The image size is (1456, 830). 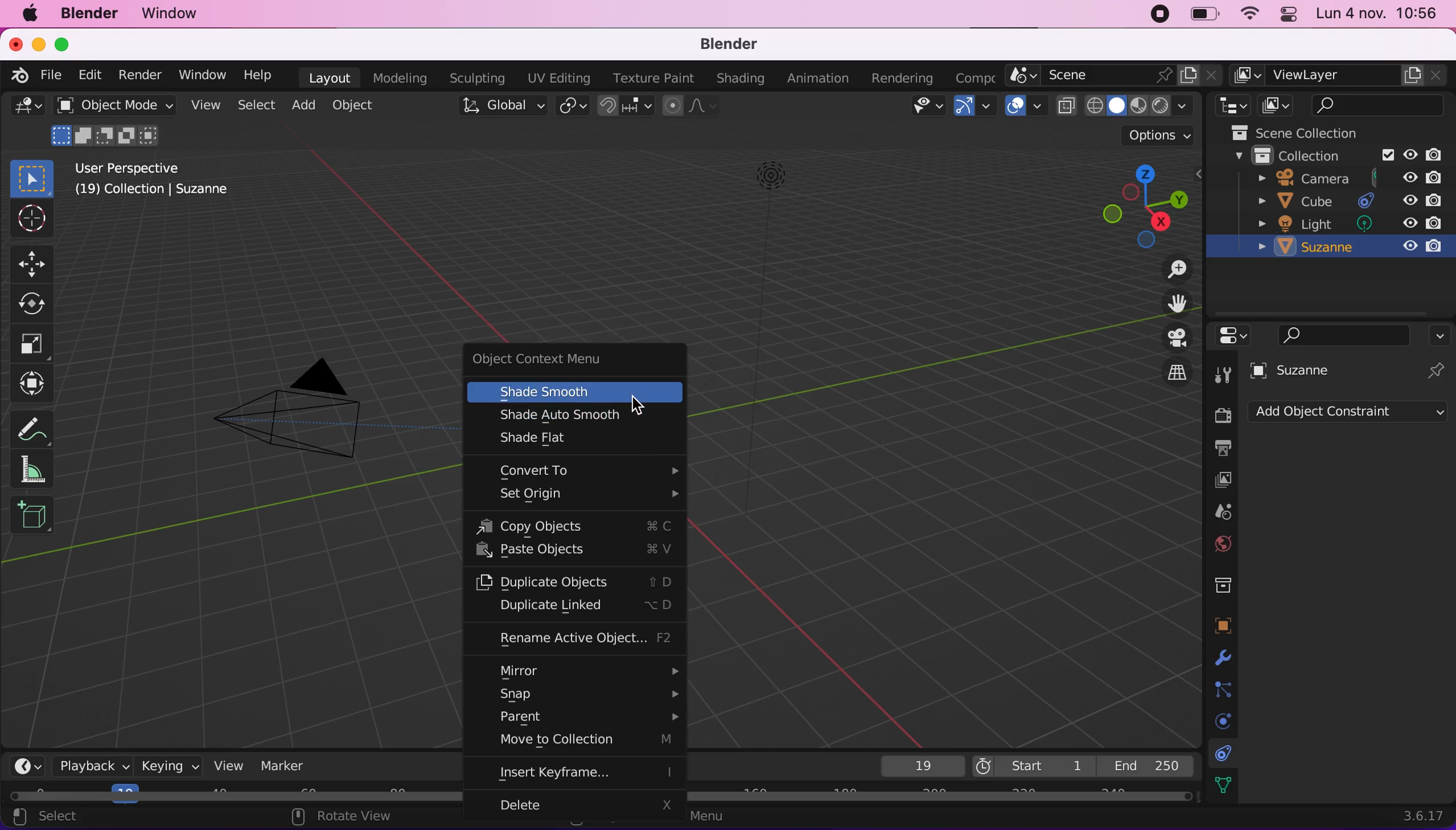 What do you see at coordinates (67, 44) in the screenshot?
I see `maximize` at bounding box center [67, 44].